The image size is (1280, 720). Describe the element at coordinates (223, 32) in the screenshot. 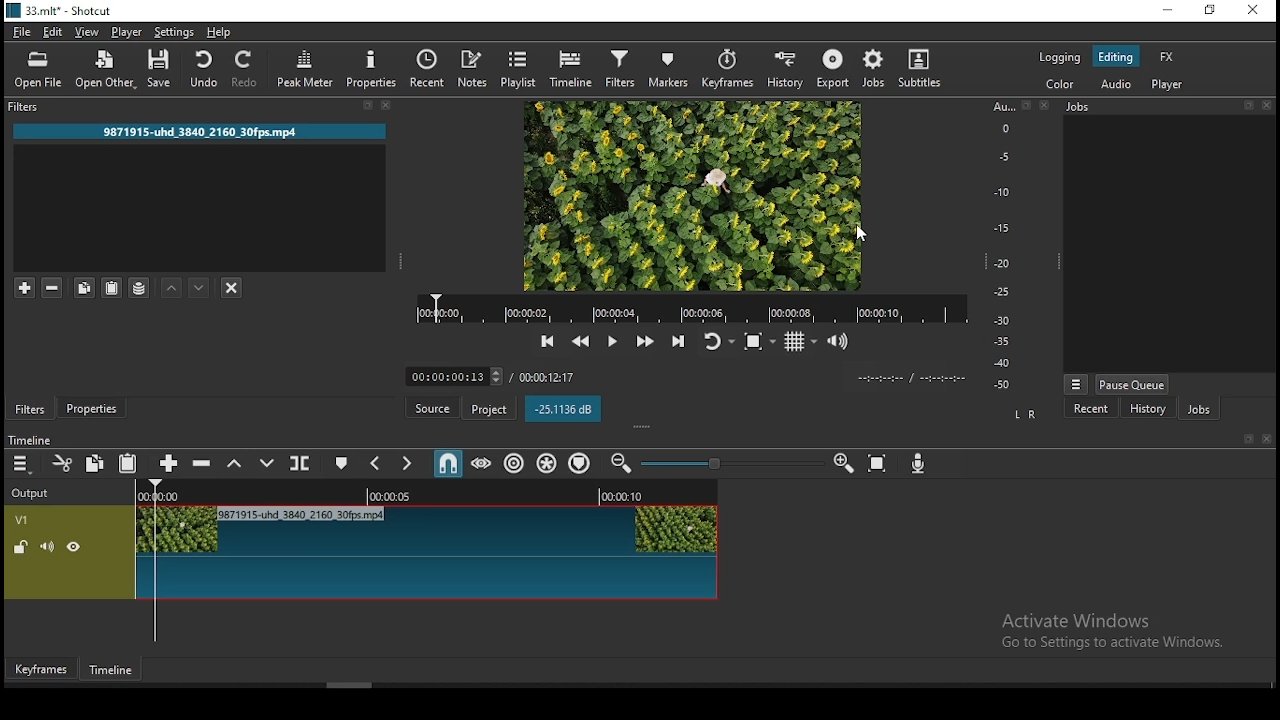

I see `help` at that location.